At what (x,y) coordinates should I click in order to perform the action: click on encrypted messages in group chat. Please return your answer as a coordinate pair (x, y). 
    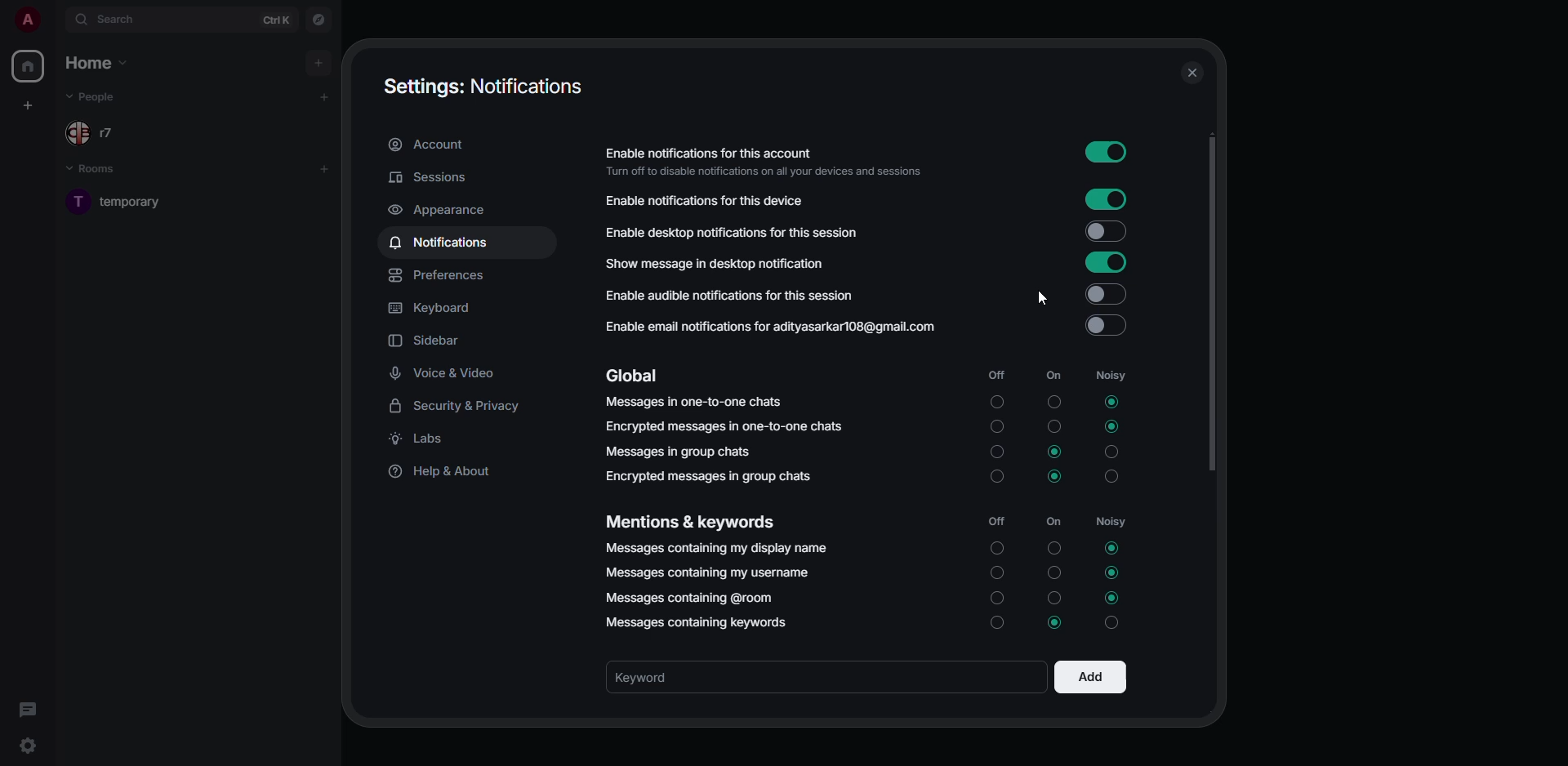
    Looking at the image, I should click on (711, 477).